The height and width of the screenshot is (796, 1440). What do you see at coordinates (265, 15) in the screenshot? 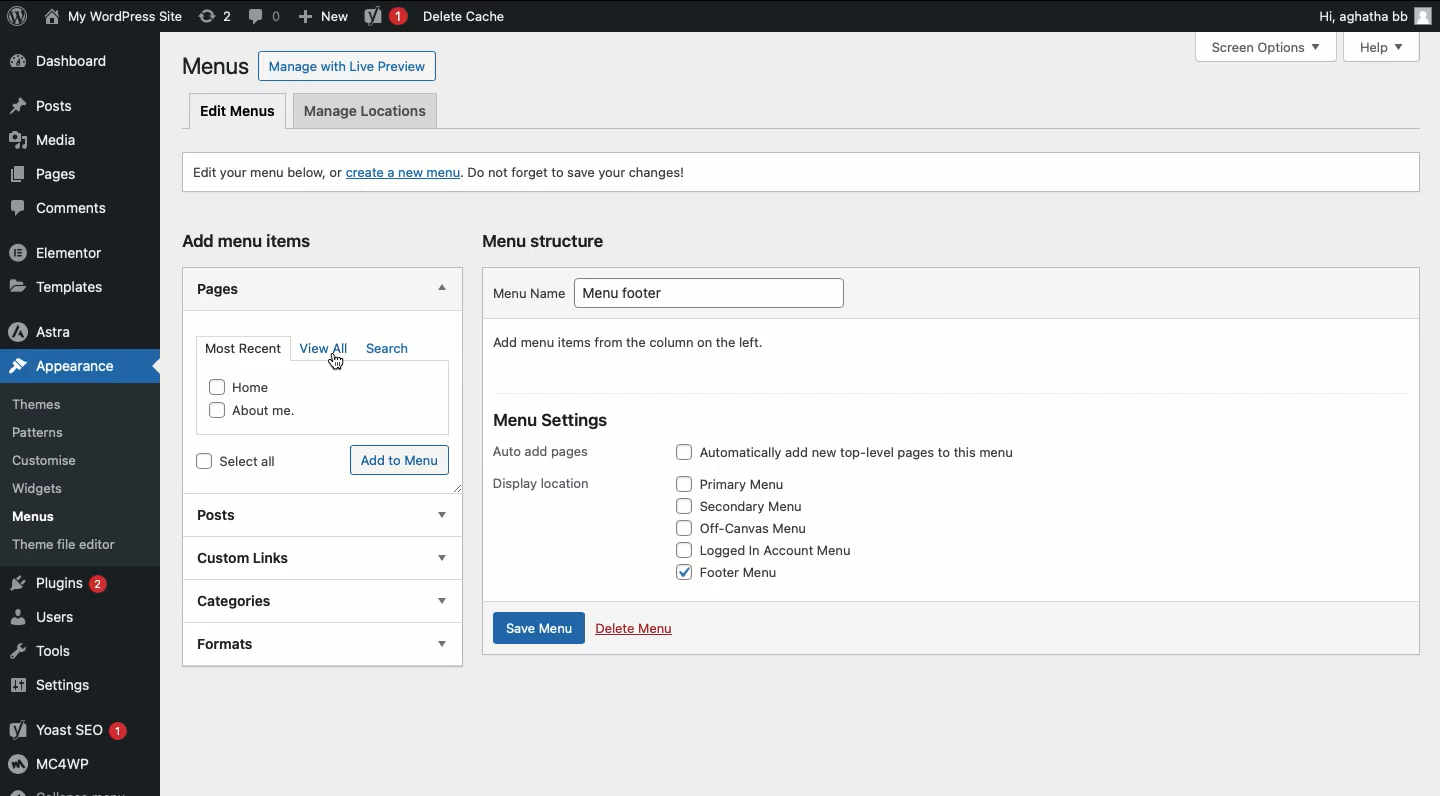
I see `Comment` at bounding box center [265, 15].